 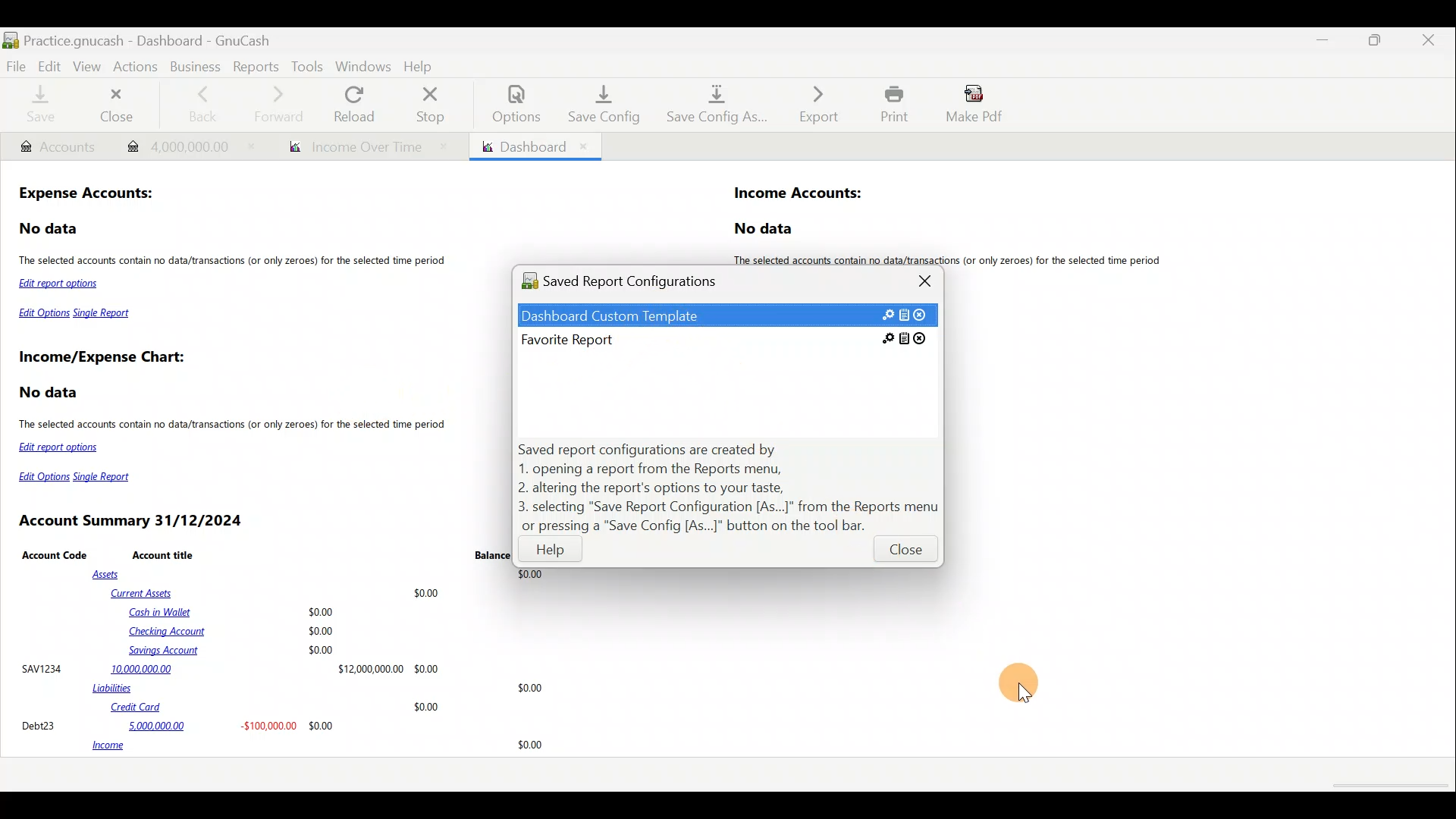 I want to click on Saved custom report template, so click(x=725, y=316).